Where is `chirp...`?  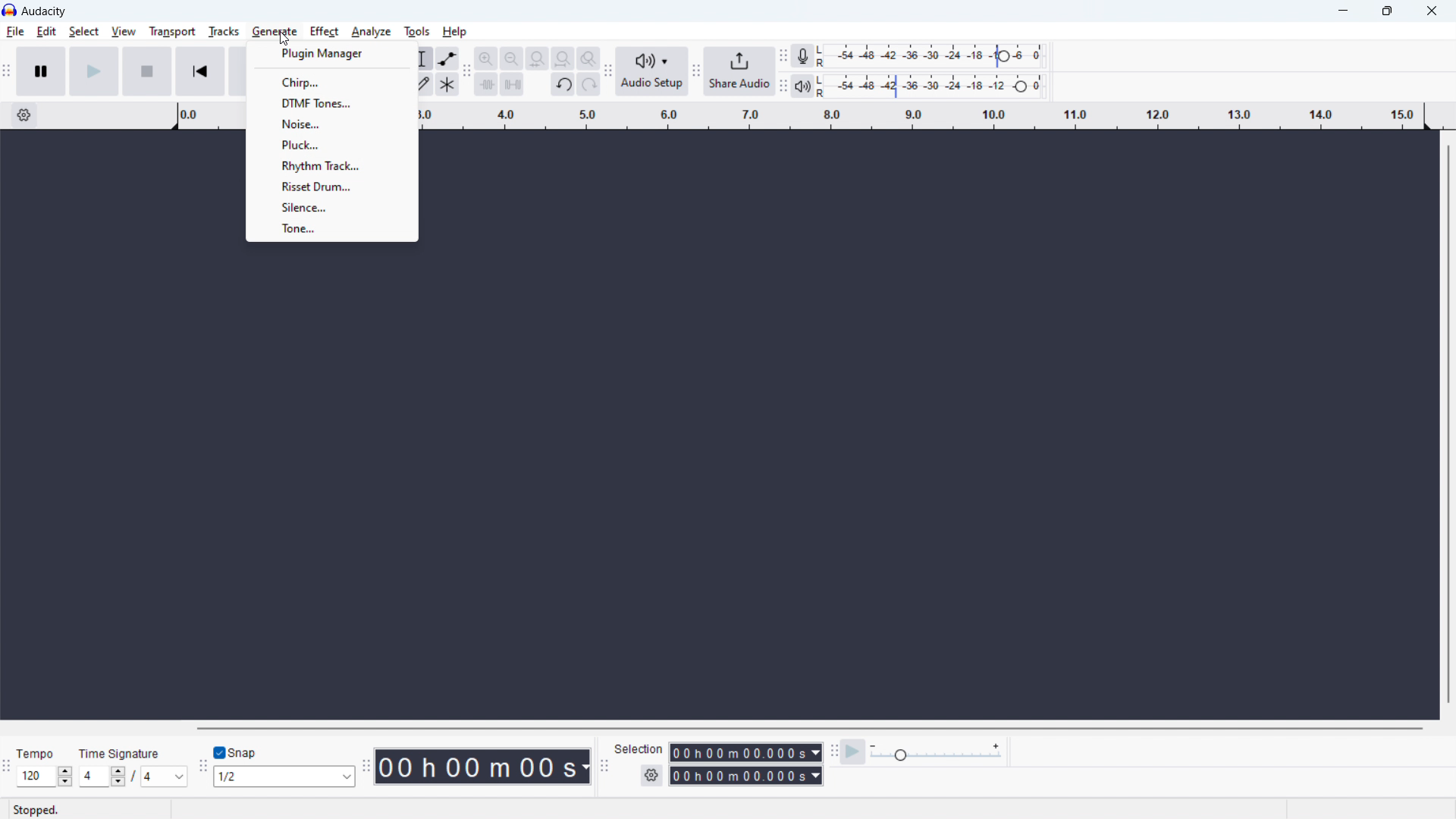
chirp... is located at coordinates (333, 83).